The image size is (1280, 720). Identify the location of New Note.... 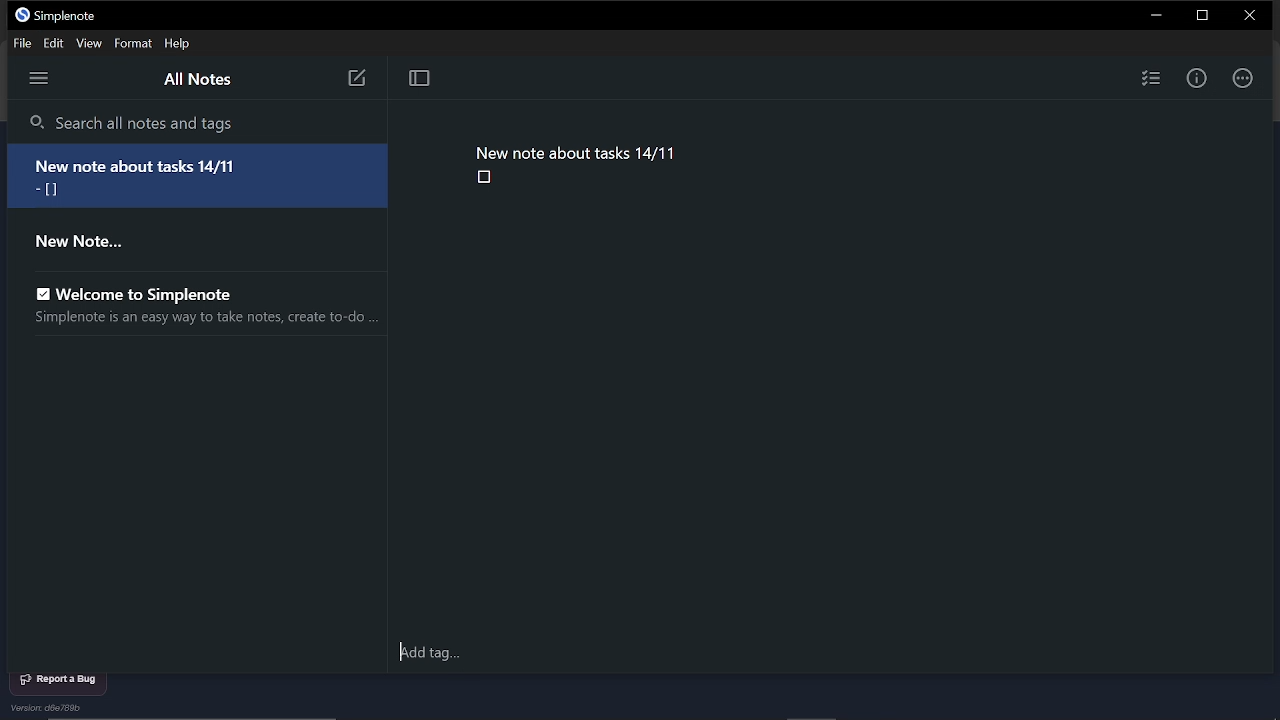
(92, 244).